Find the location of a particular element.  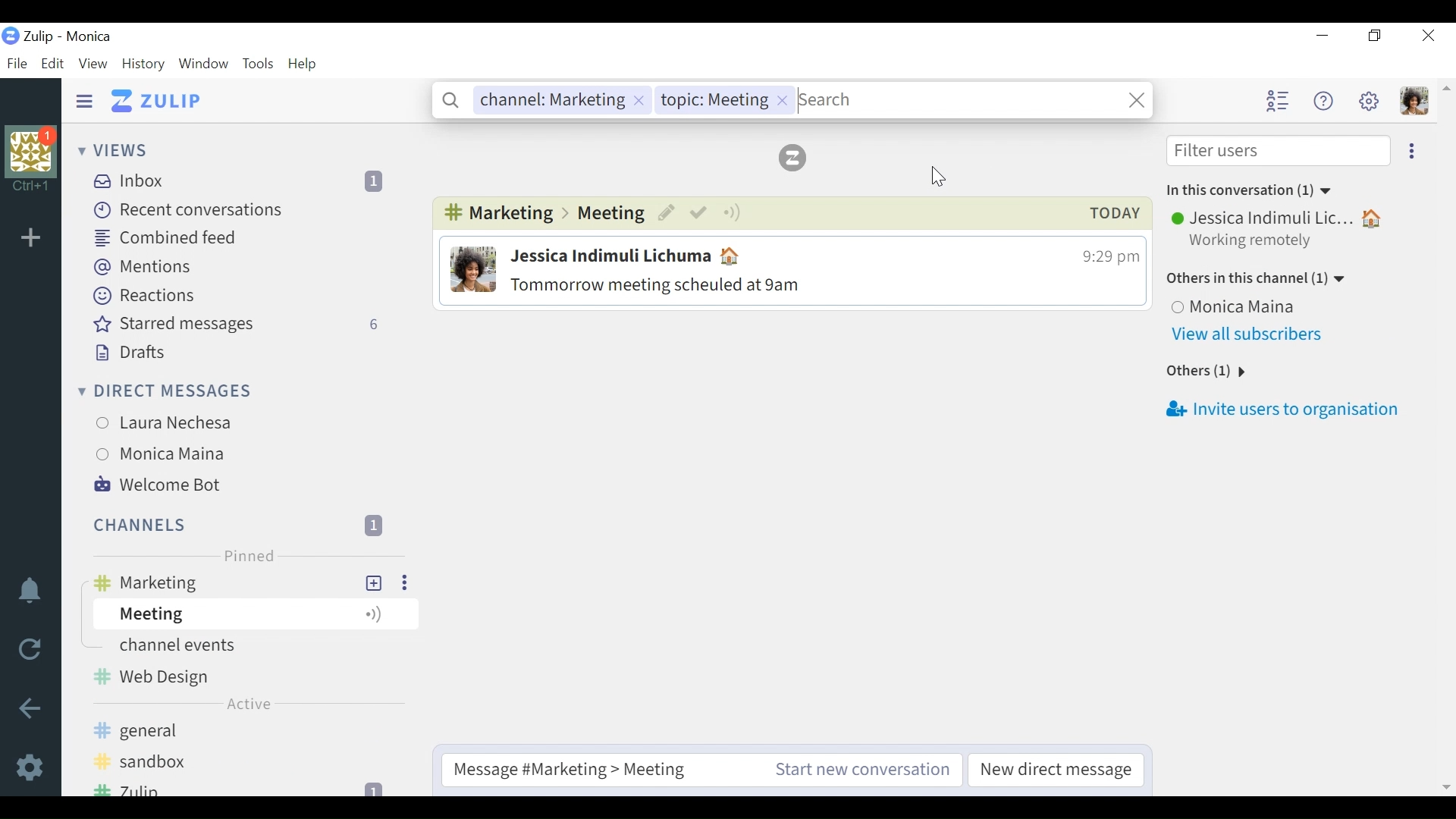

close is located at coordinates (1134, 100).